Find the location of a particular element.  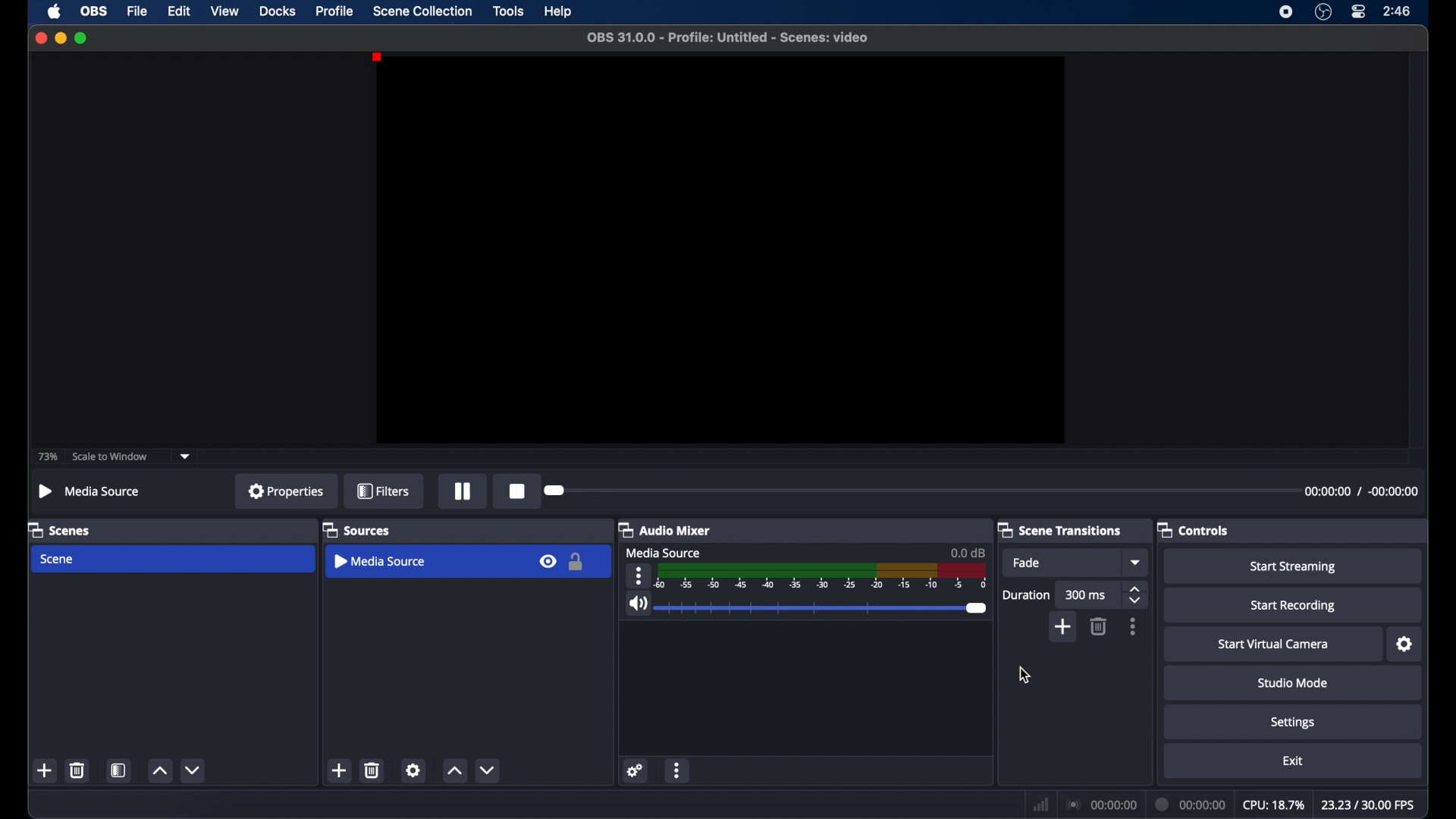

settings is located at coordinates (413, 770).